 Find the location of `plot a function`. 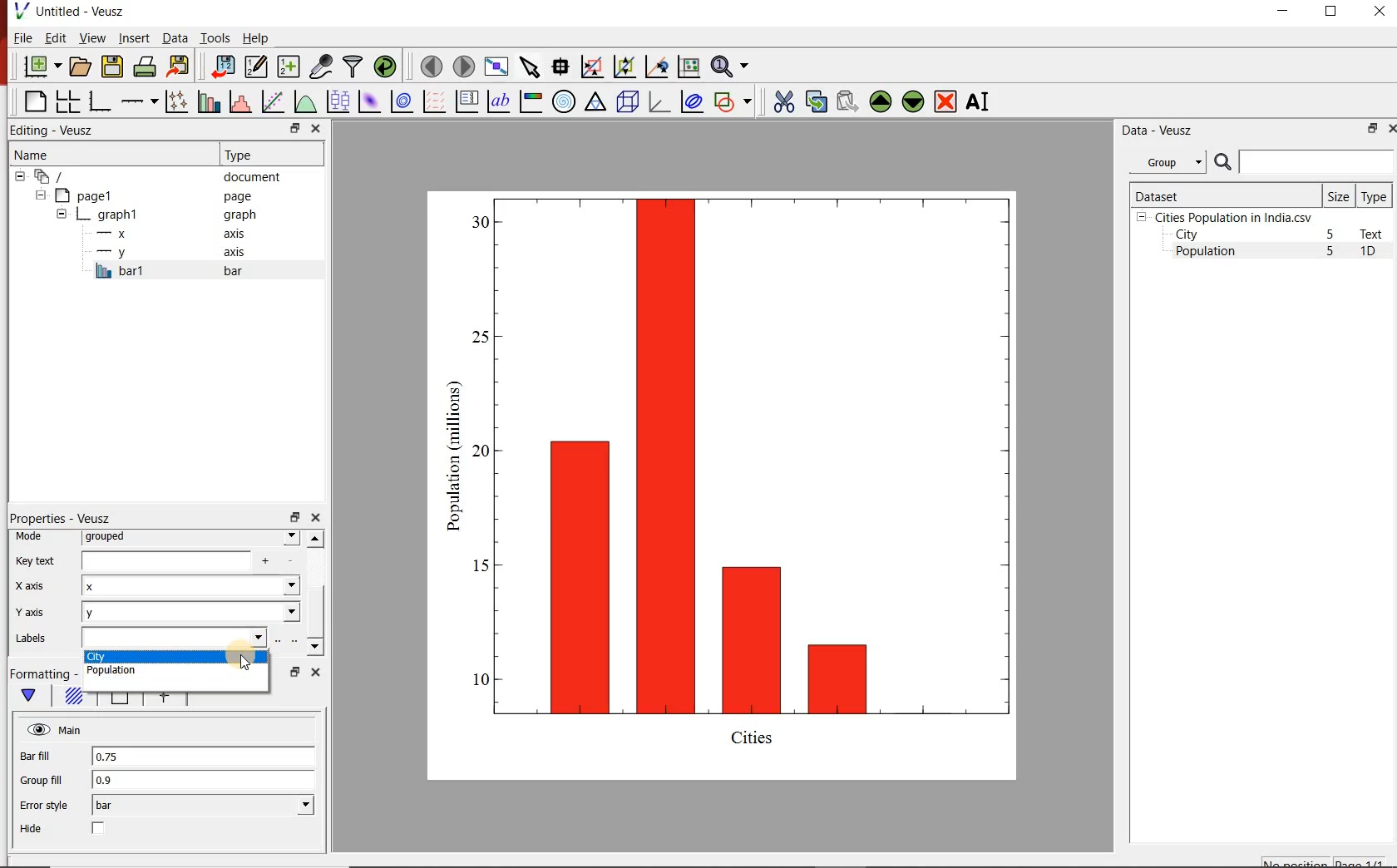

plot a function is located at coordinates (304, 101).